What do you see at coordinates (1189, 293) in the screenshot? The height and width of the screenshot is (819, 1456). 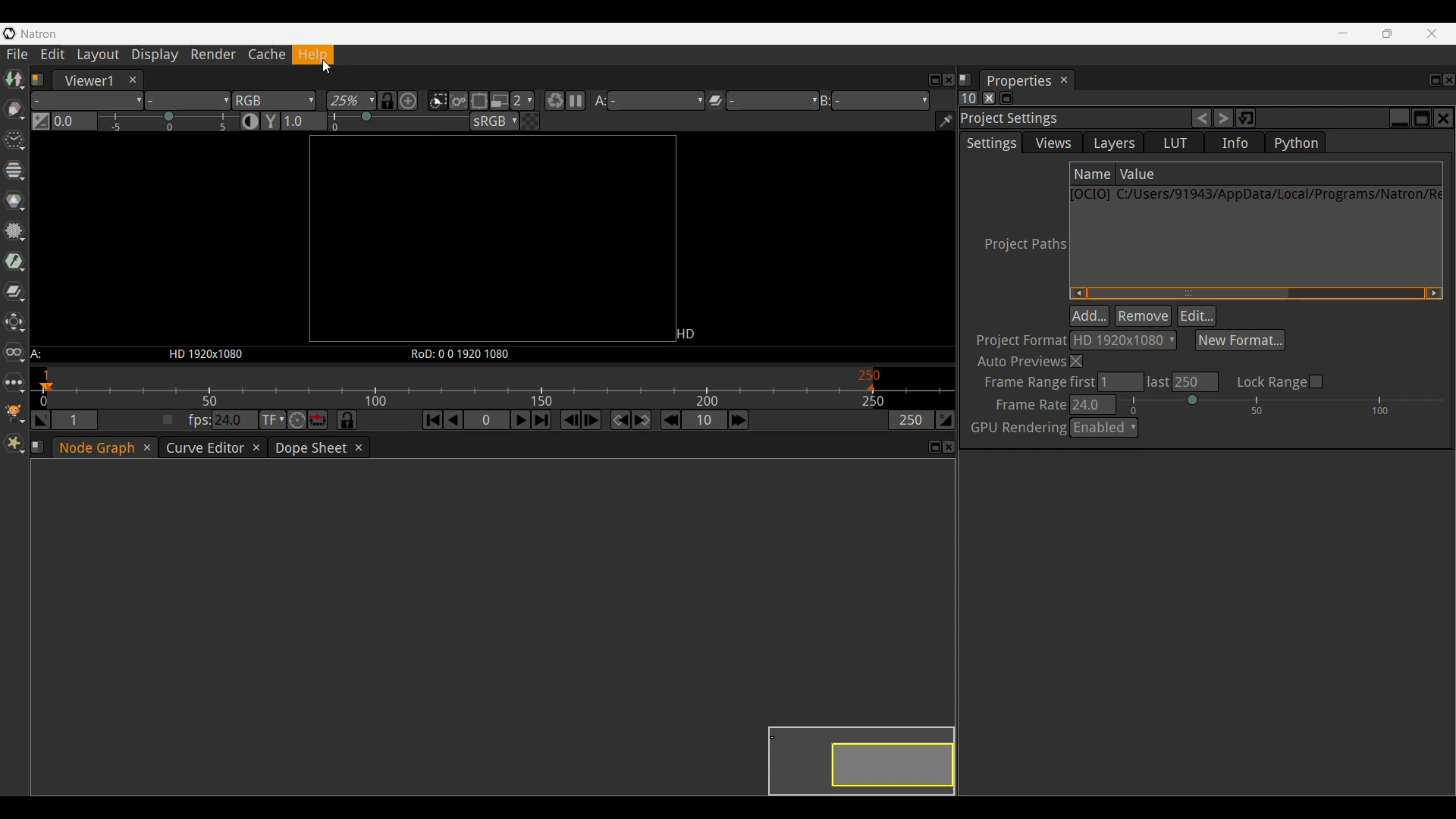 I see `Horizontal slide bar` at bounding box center [1189, 293].